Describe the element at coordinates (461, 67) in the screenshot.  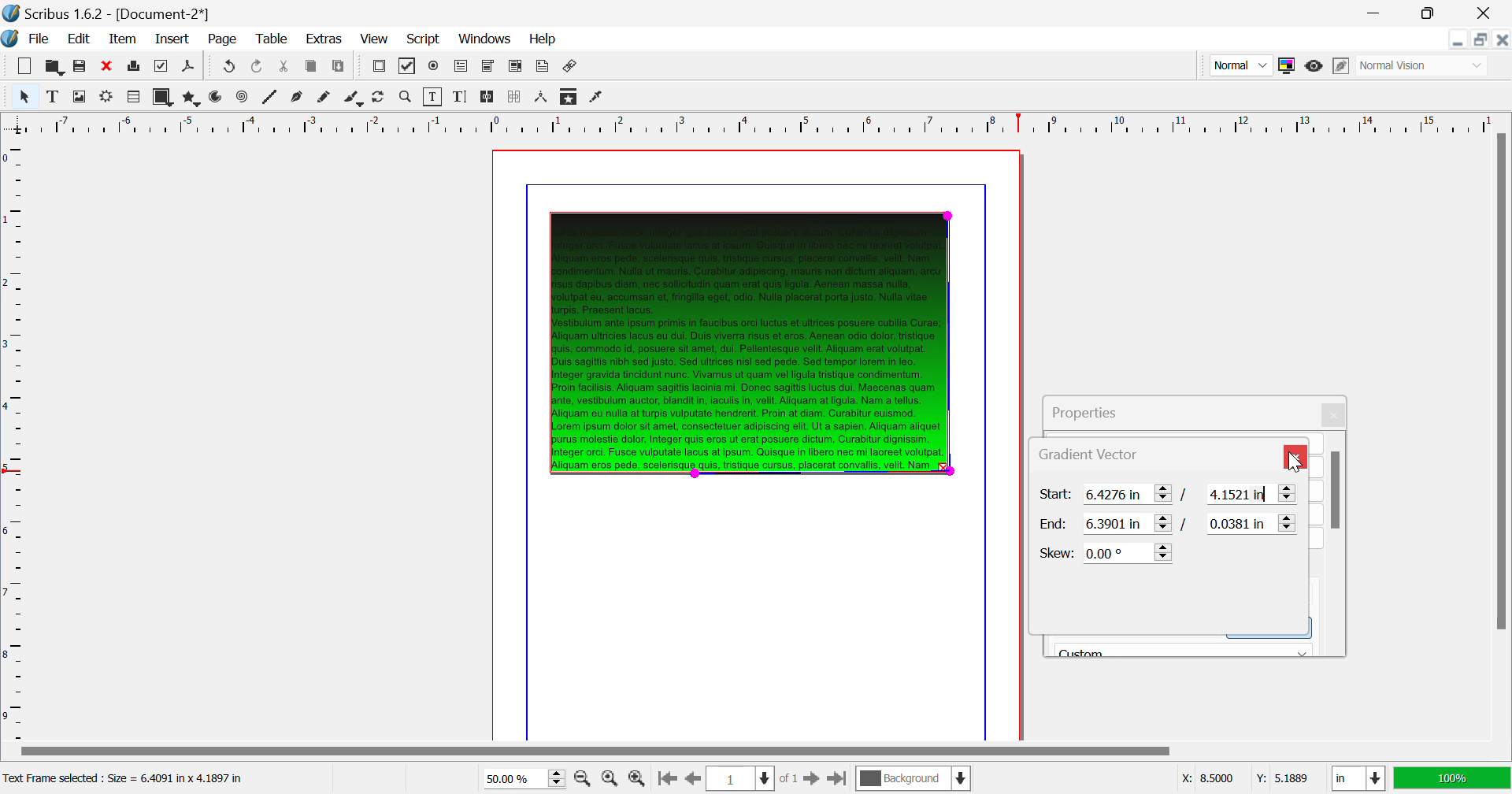
I see `Pdf Text Fields` at that location.